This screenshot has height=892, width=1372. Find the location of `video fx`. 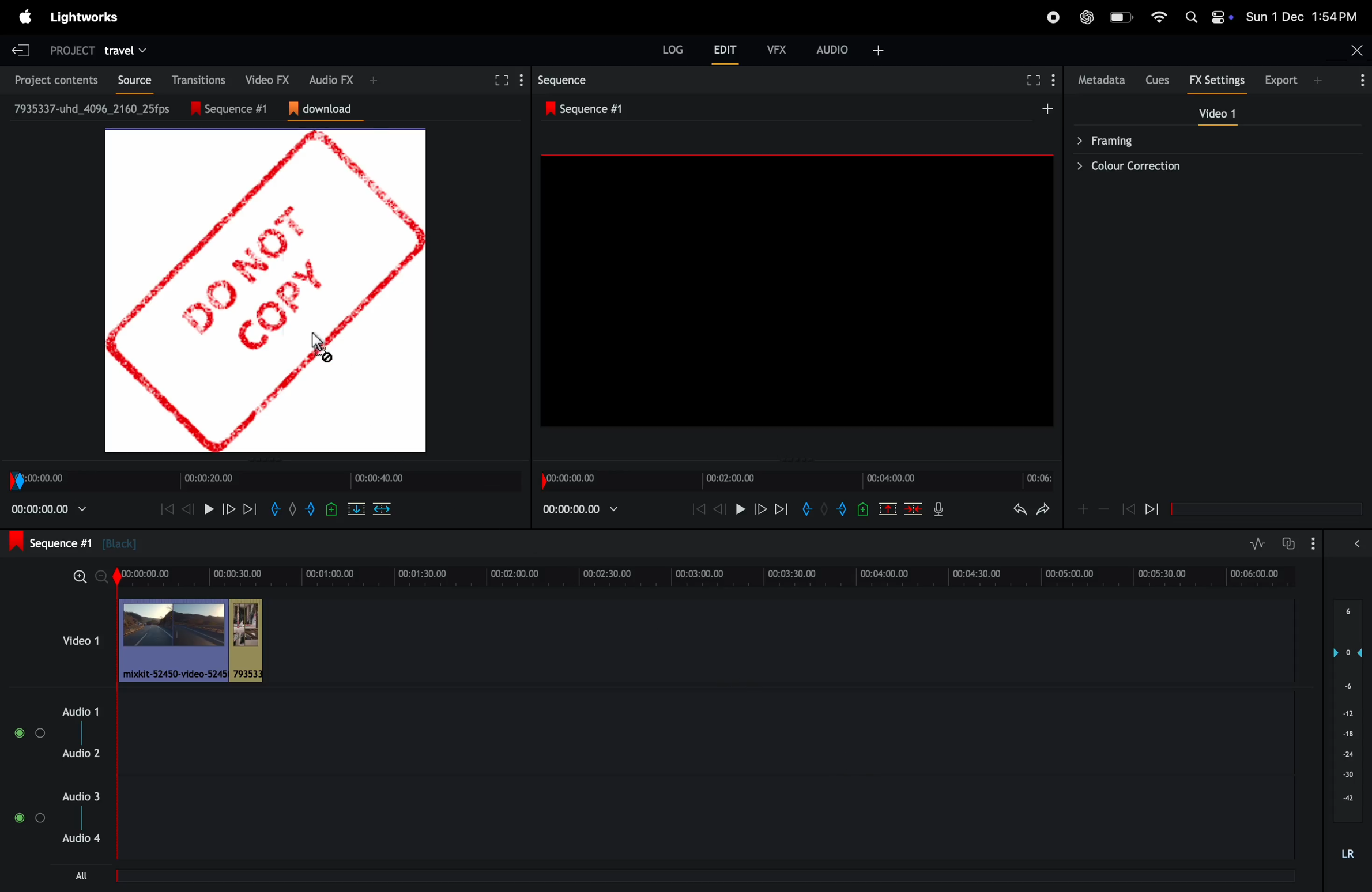

video fx is located at coordinates (263, 78).